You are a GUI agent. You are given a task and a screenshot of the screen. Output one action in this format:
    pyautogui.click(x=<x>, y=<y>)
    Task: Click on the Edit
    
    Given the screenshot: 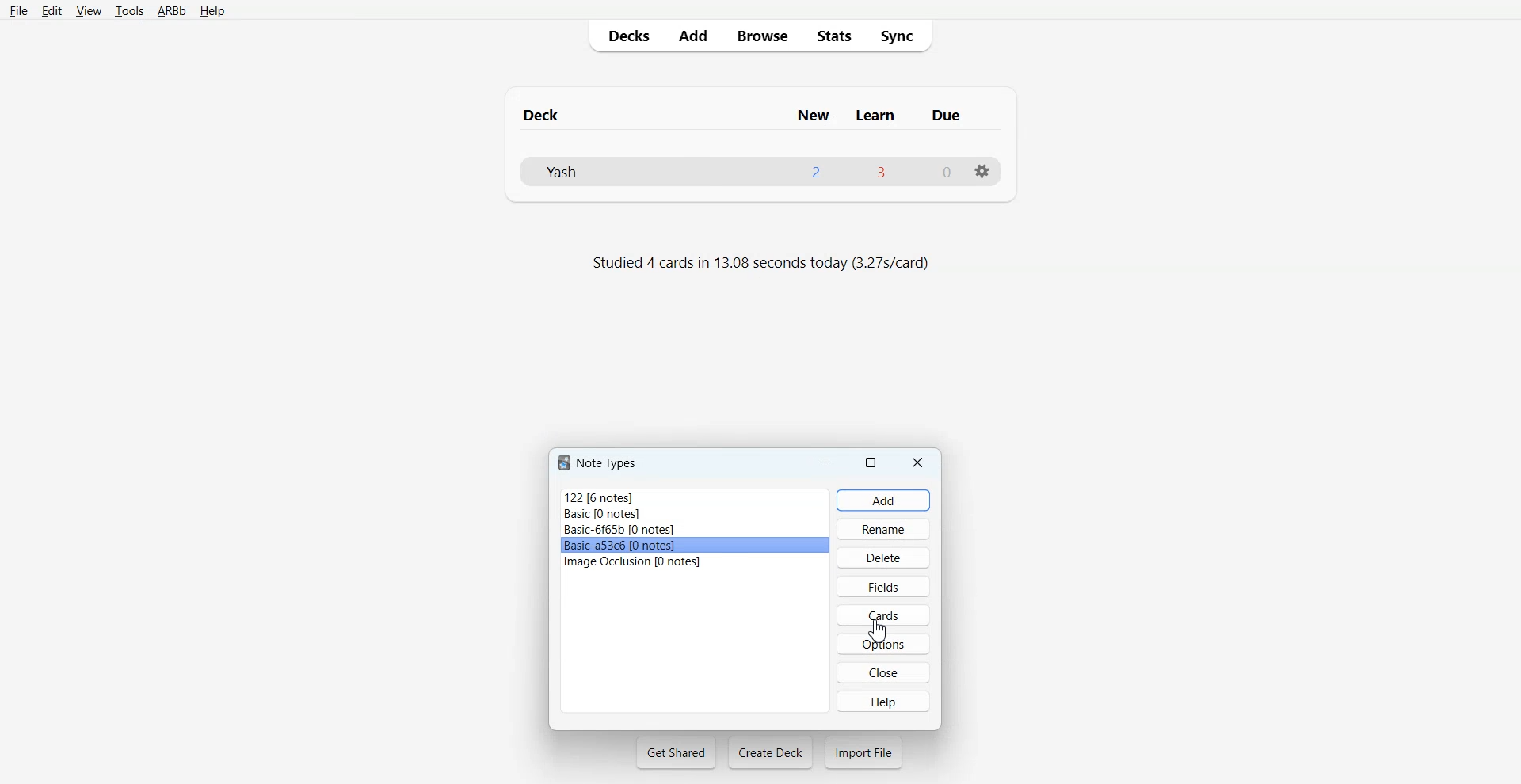 What is the action you would take?
    pyautogui.click(x=52, y=11)
    